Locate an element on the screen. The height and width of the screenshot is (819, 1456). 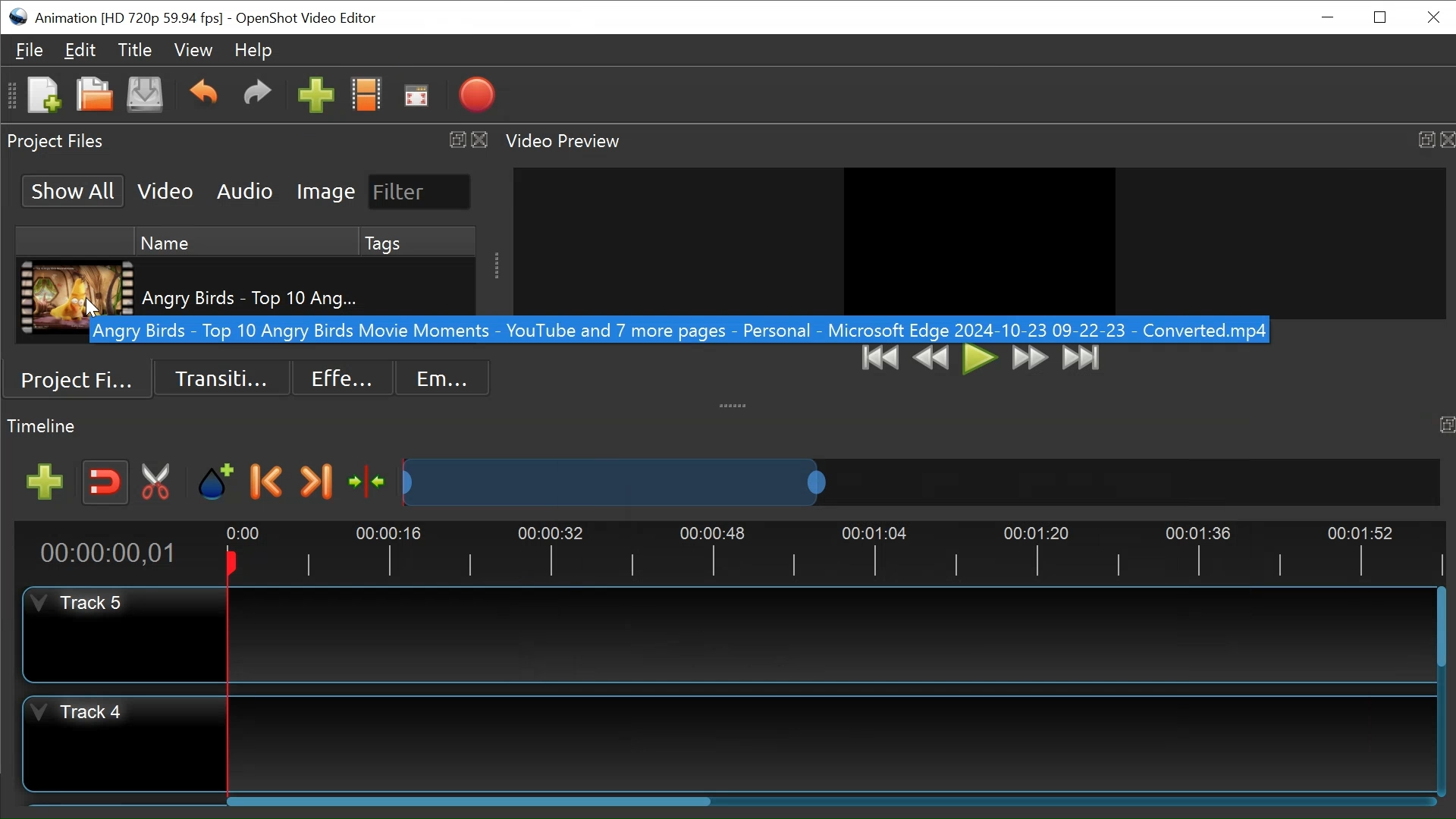
Horizontal Scroll bar is located at coordinates (475, 800).